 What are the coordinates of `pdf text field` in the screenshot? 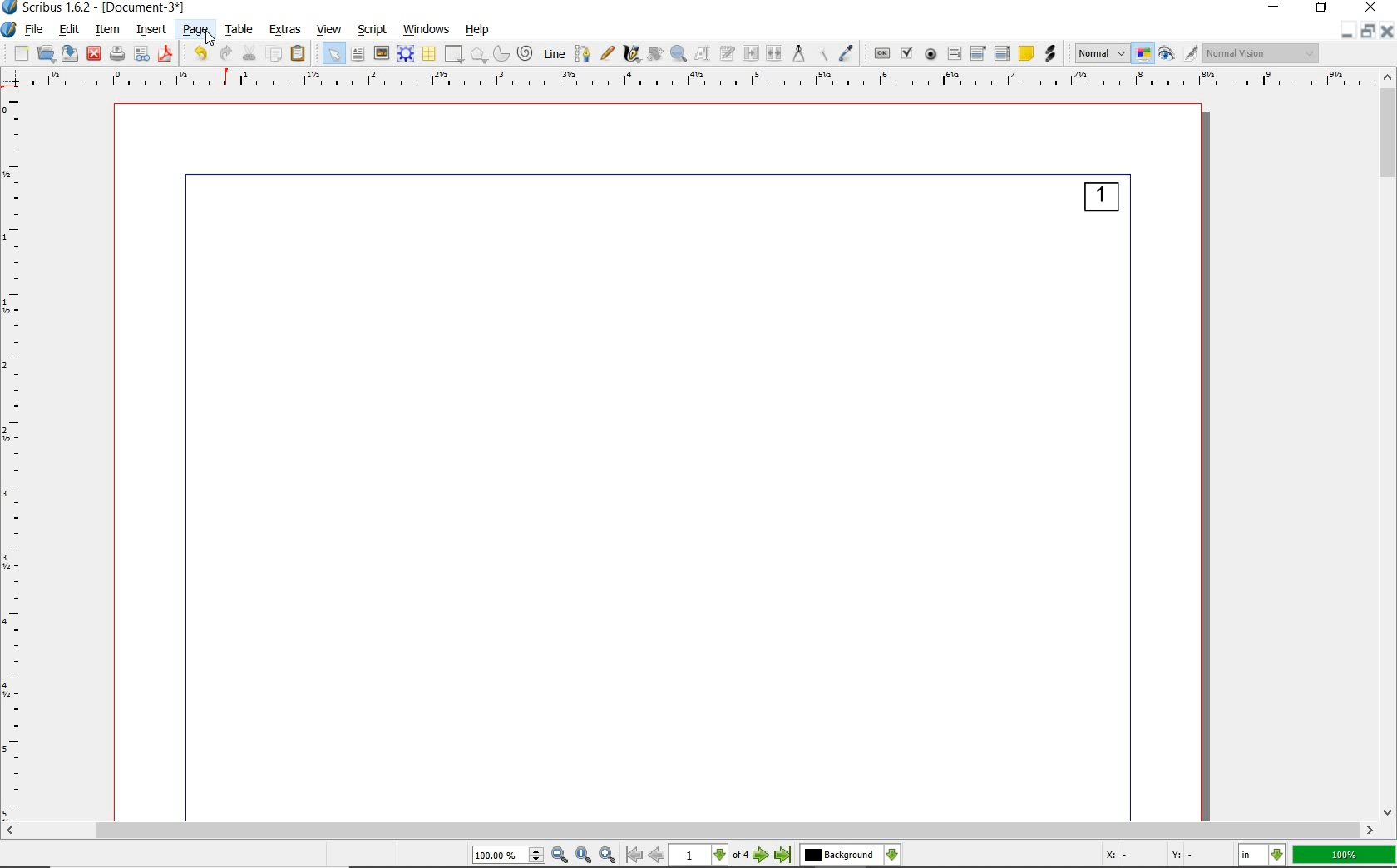 It's located at (953, 52).